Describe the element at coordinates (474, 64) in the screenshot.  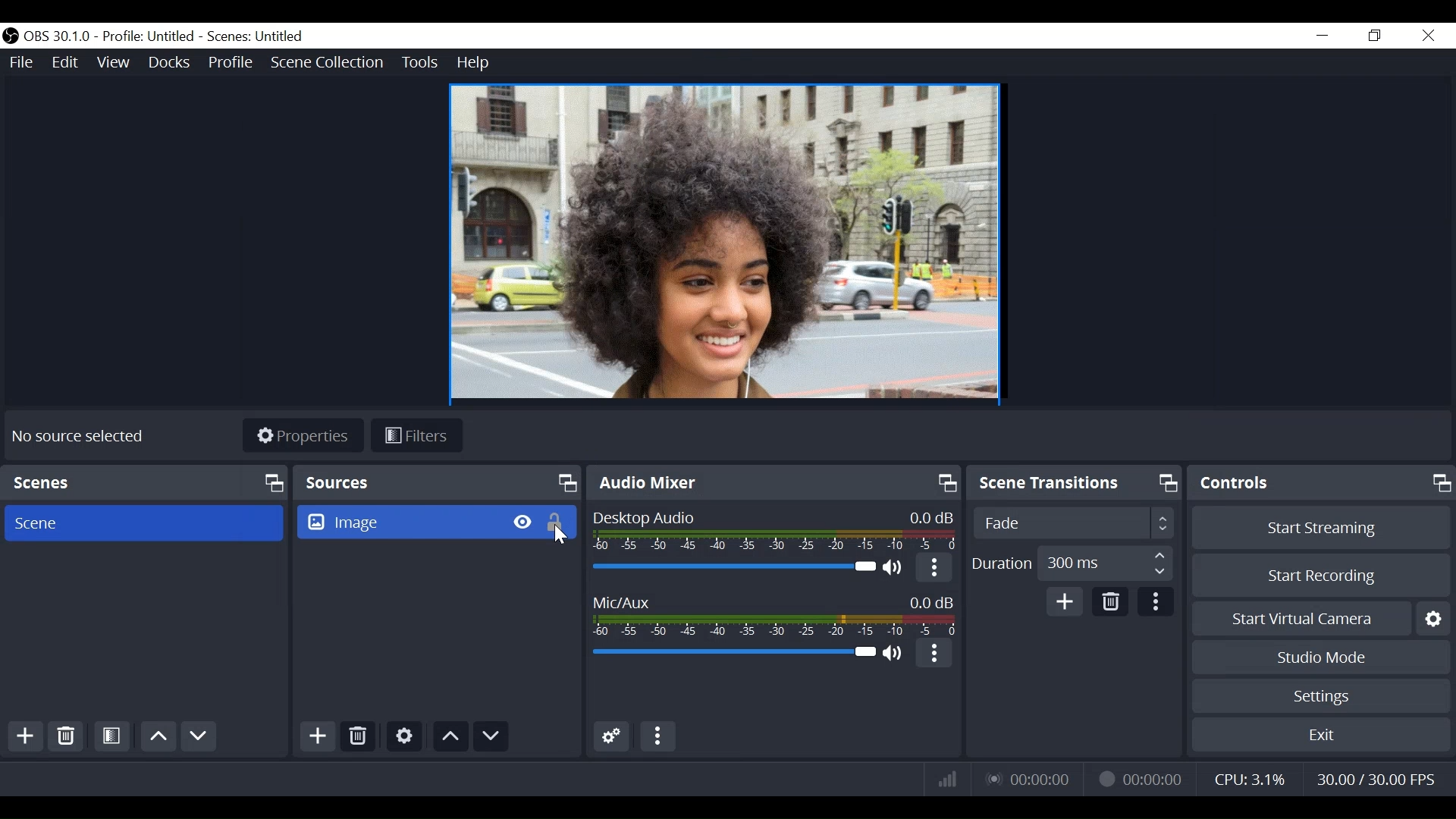
I see `Help` at that location.